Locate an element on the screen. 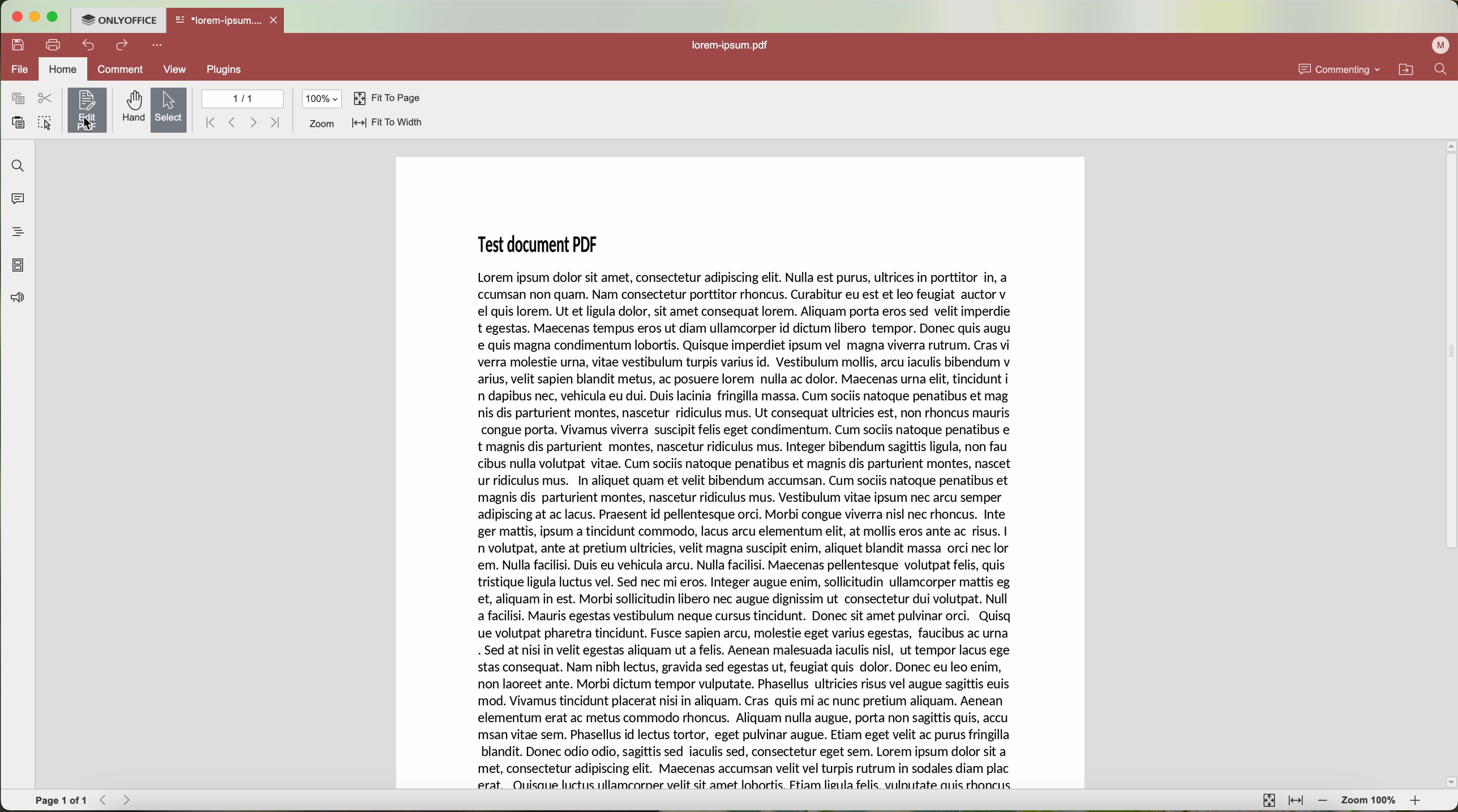 The image size is (1458, 812). minimize is located at coordinates (37, 15).